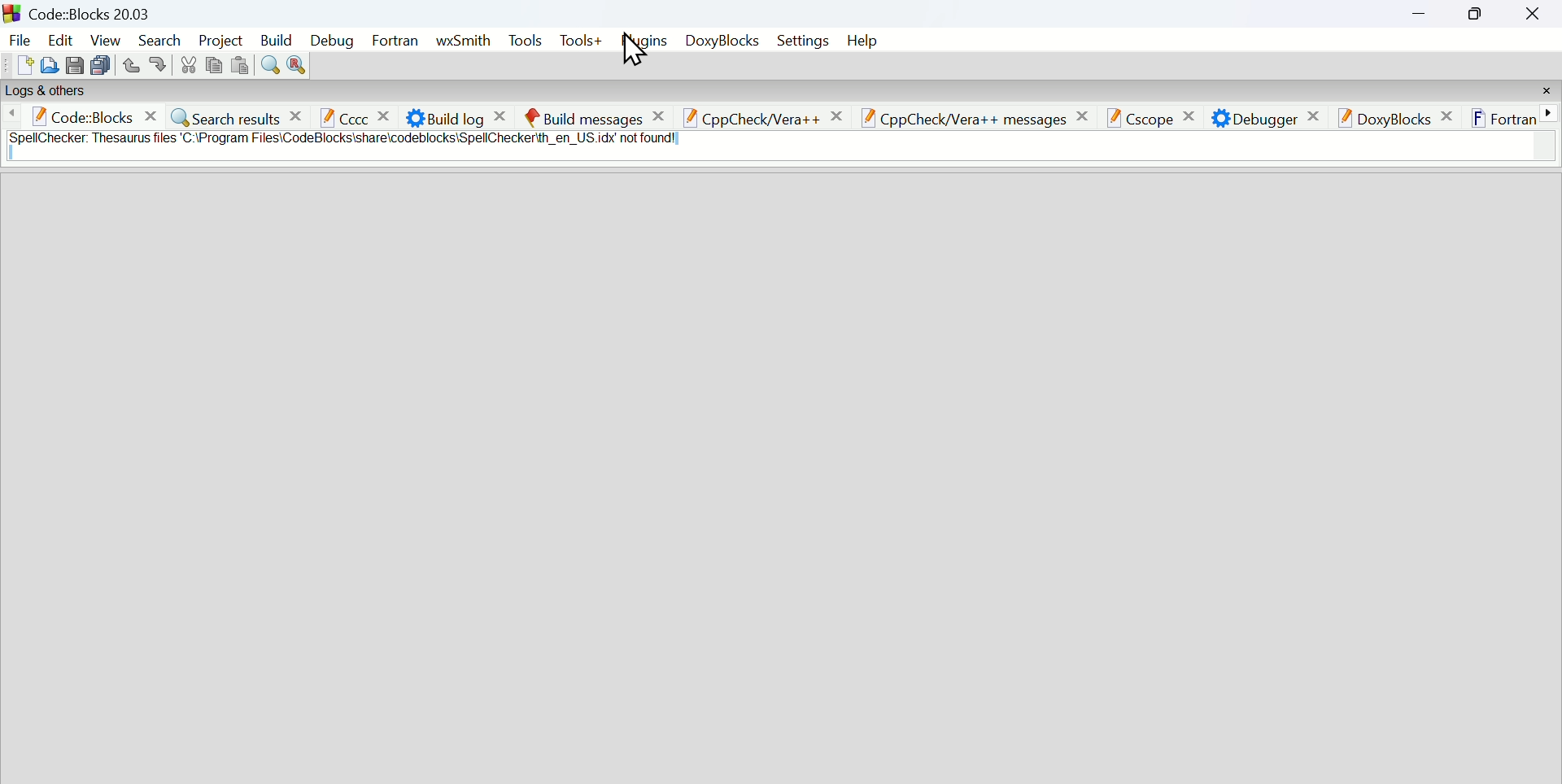 The image size is (1562, 784). Describe the element at coordinates (222, 39) in the screenshot. I see `Project` at that location.